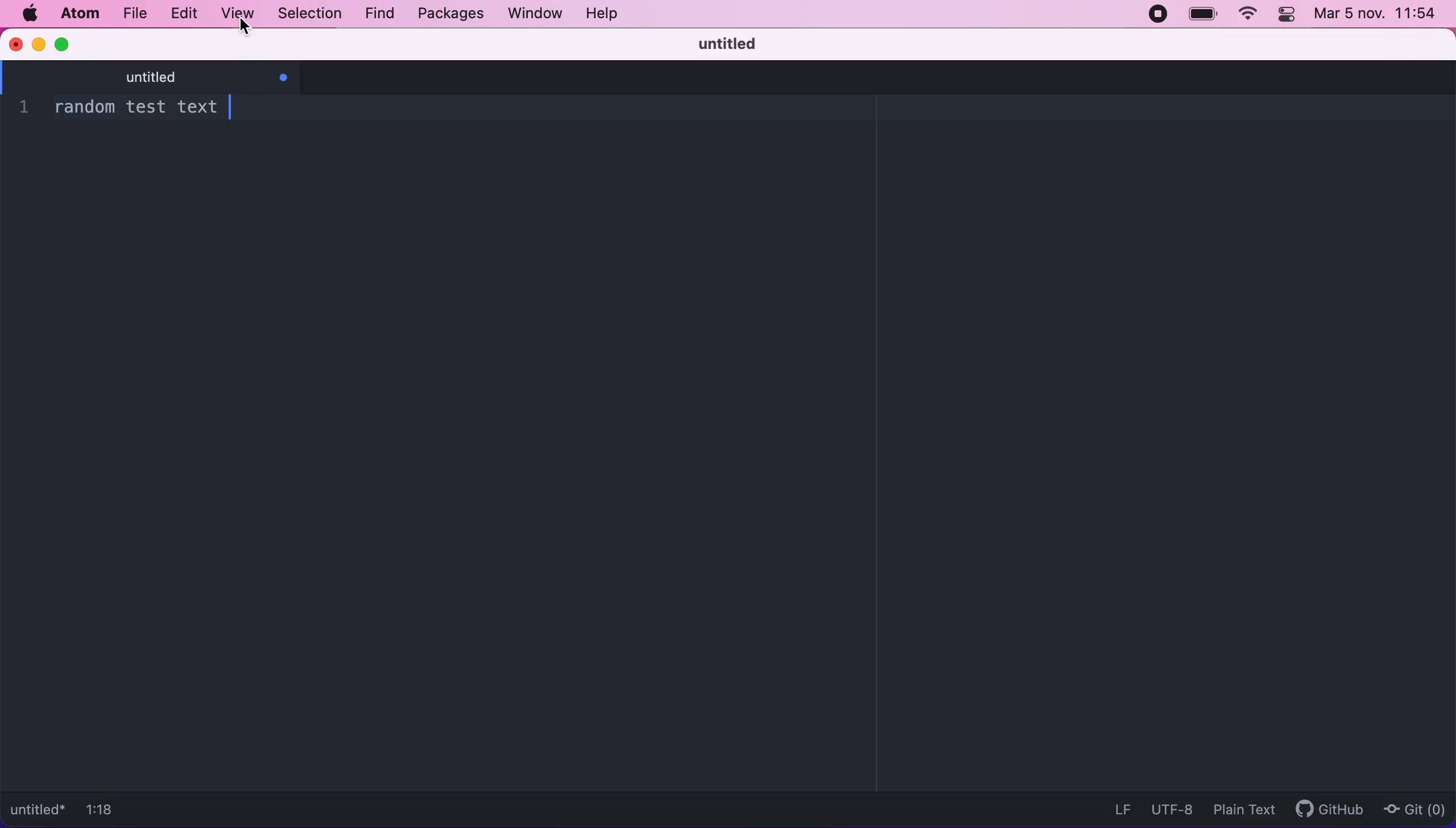 Image resolution: width=1456 pixels, height=828 pixels. I want to click on maximize, so click(65, 43).